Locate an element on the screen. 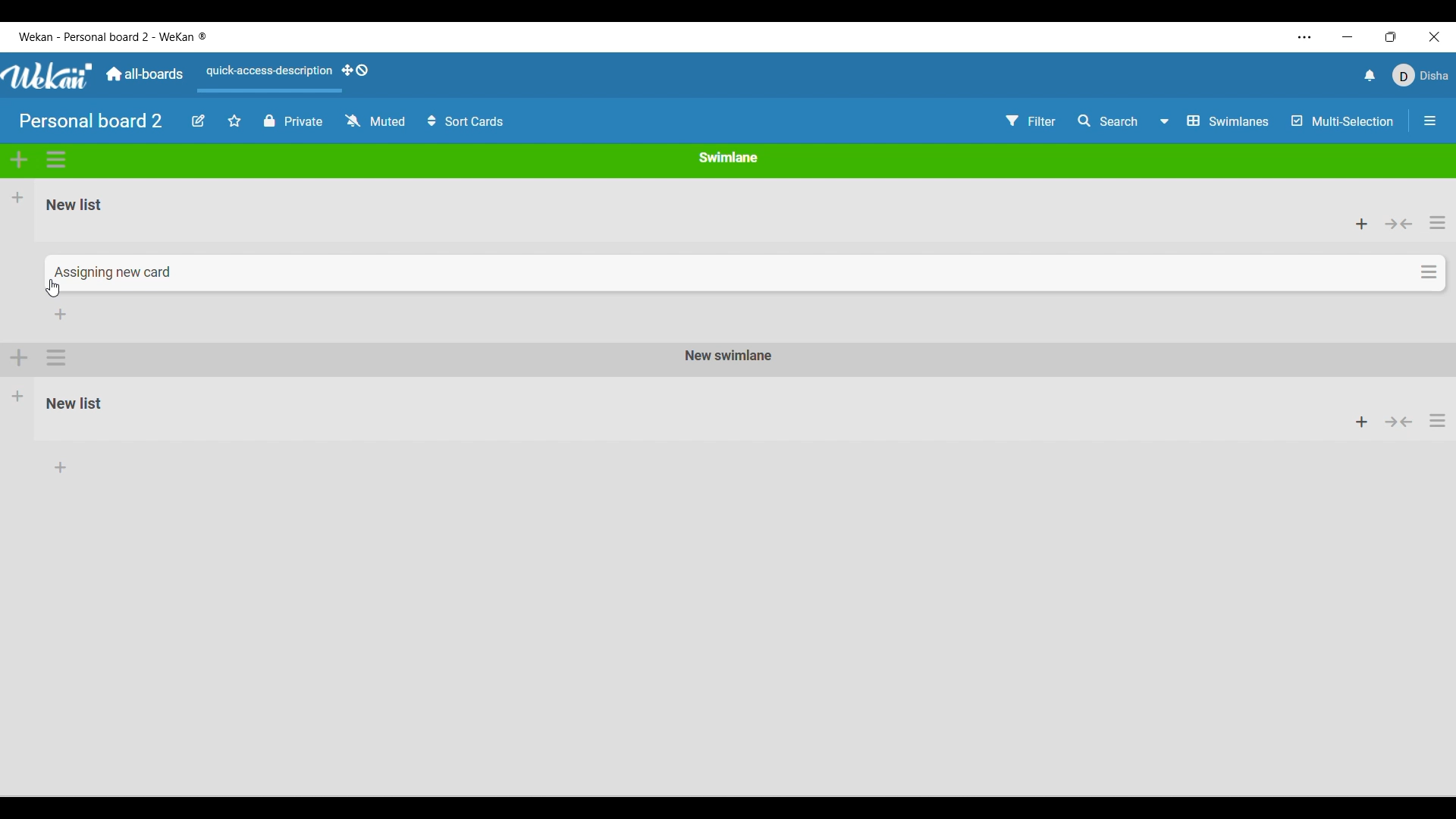 The image size is (1456, 819). Add card to top of list is located at coordinates (1363, 224).